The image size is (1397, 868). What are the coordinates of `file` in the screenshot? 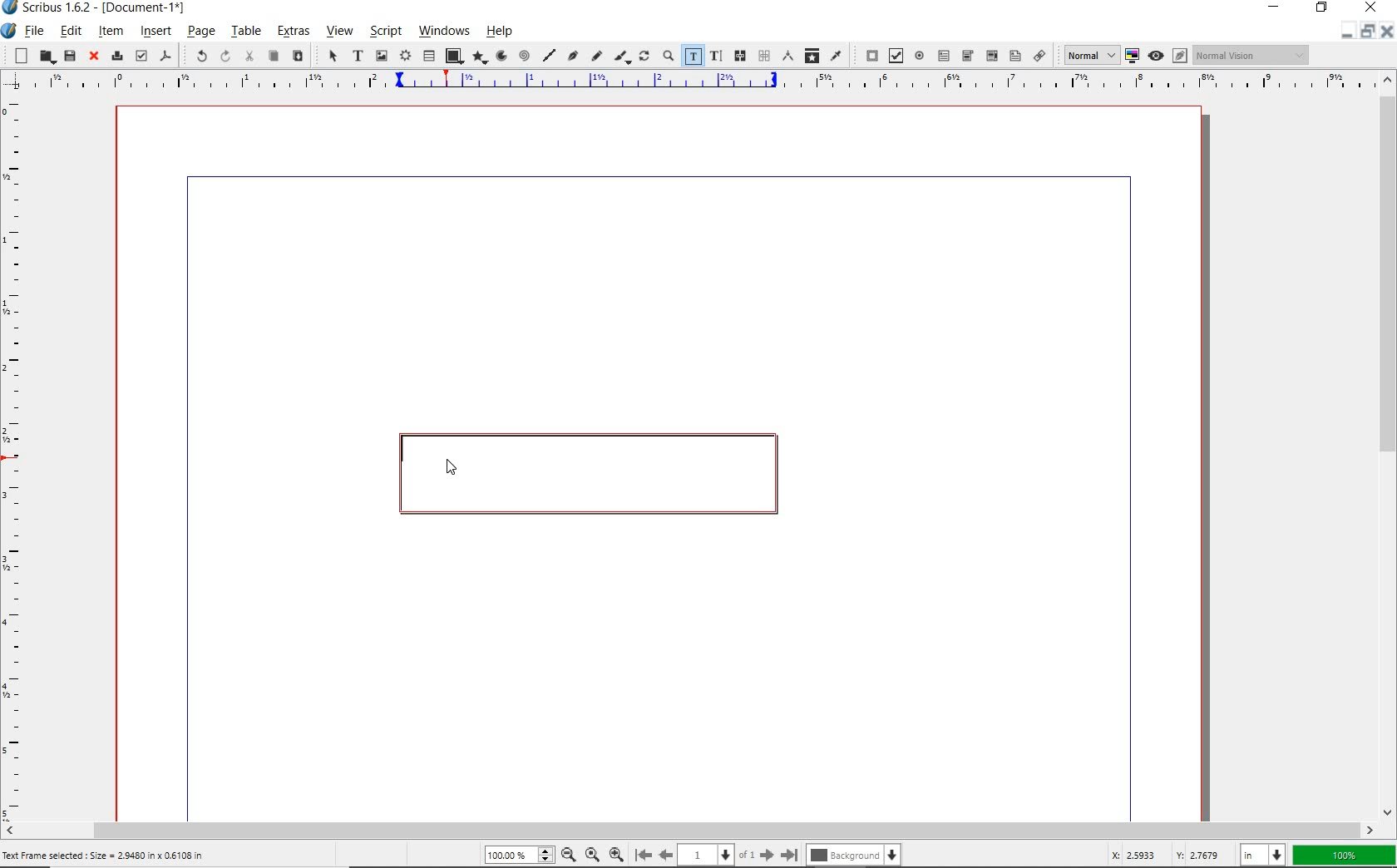 It's located at (35, 32).